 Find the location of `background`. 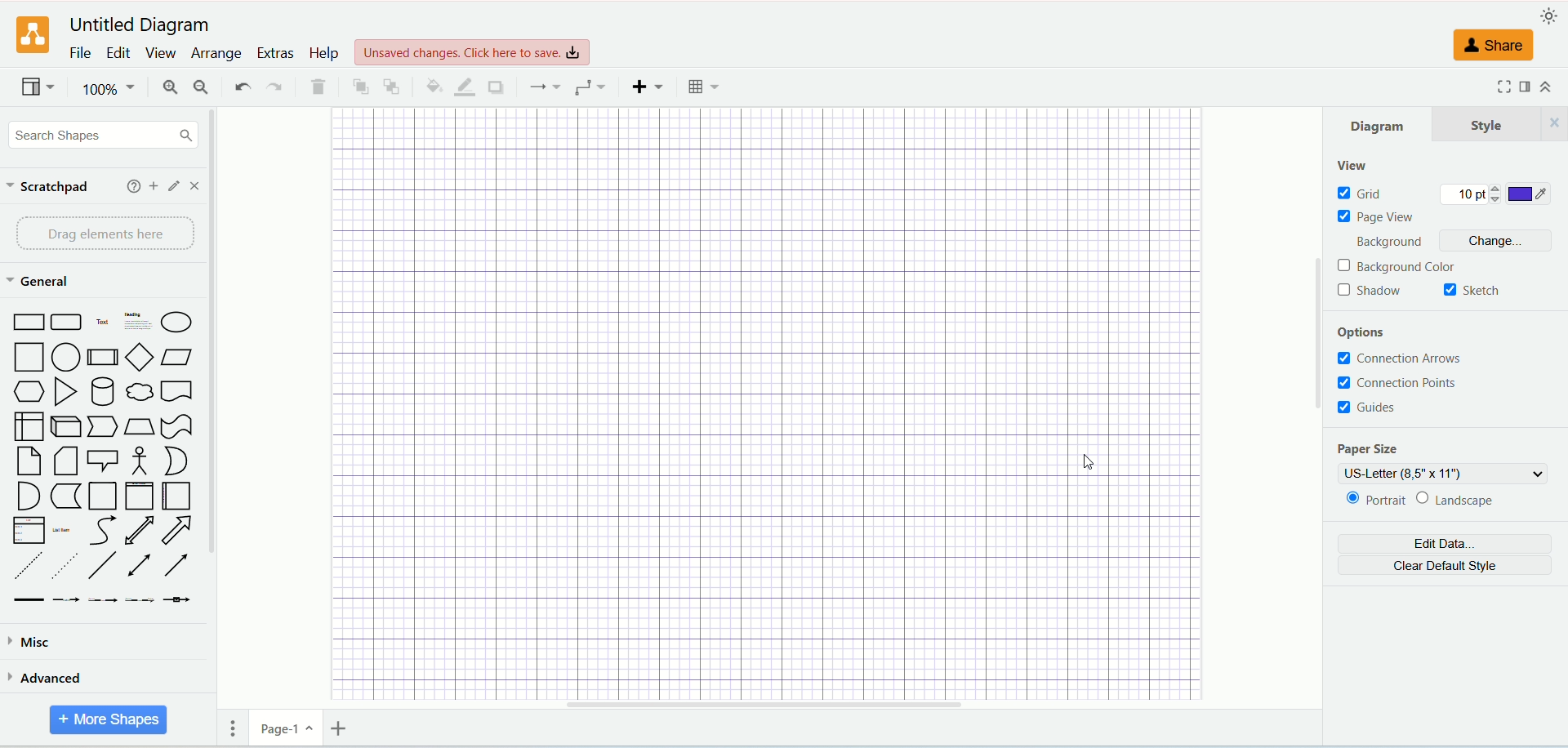

background is located at coordinates (1384, 243).